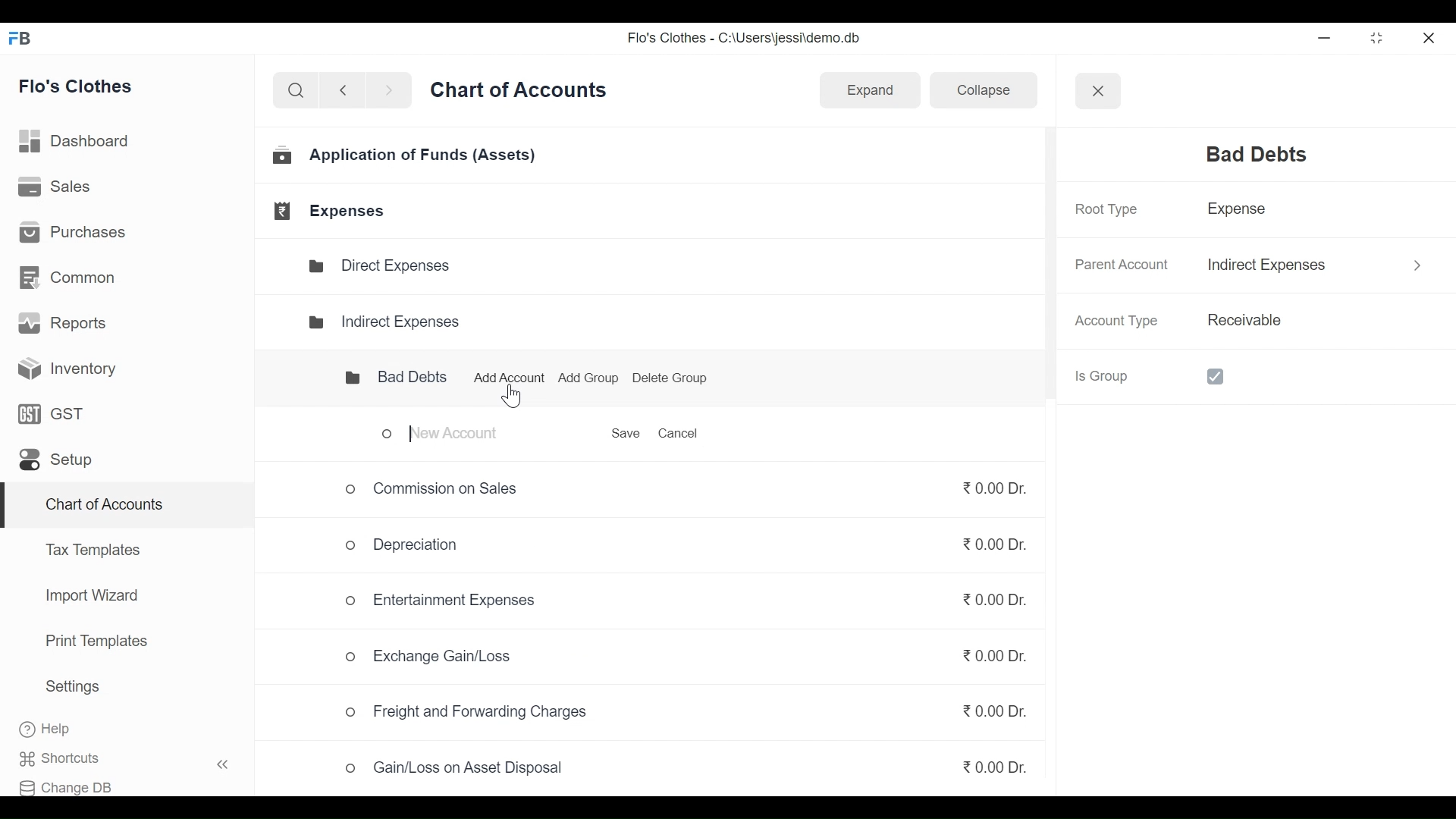  What do you see at coordinates (1104, 209) in the screenshot?
I see `Root Type` at bounding box center [1104, 209].